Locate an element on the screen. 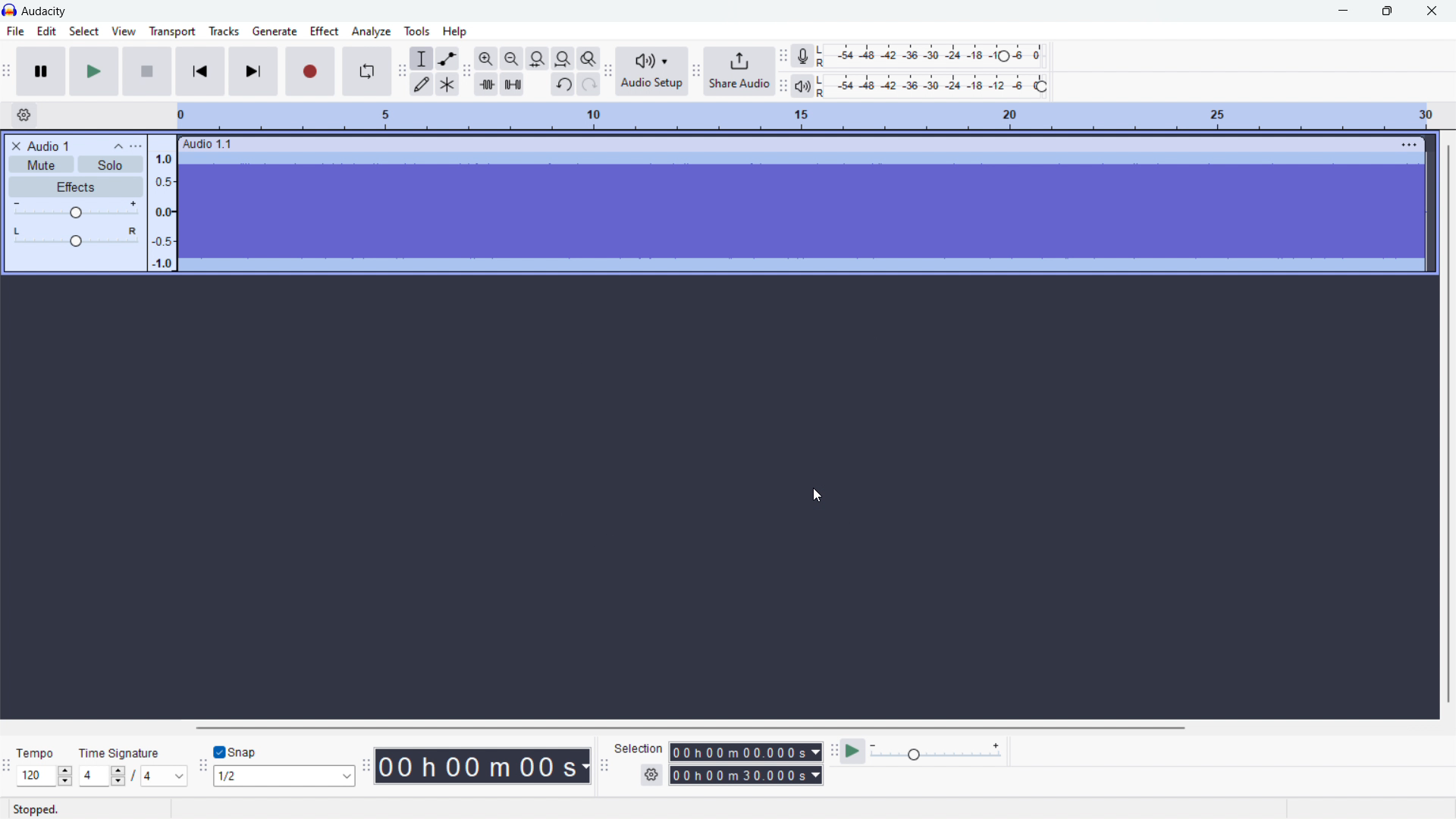 This screenshot has height=819, width=1456. set time signature is located at coordinates (133, 776).